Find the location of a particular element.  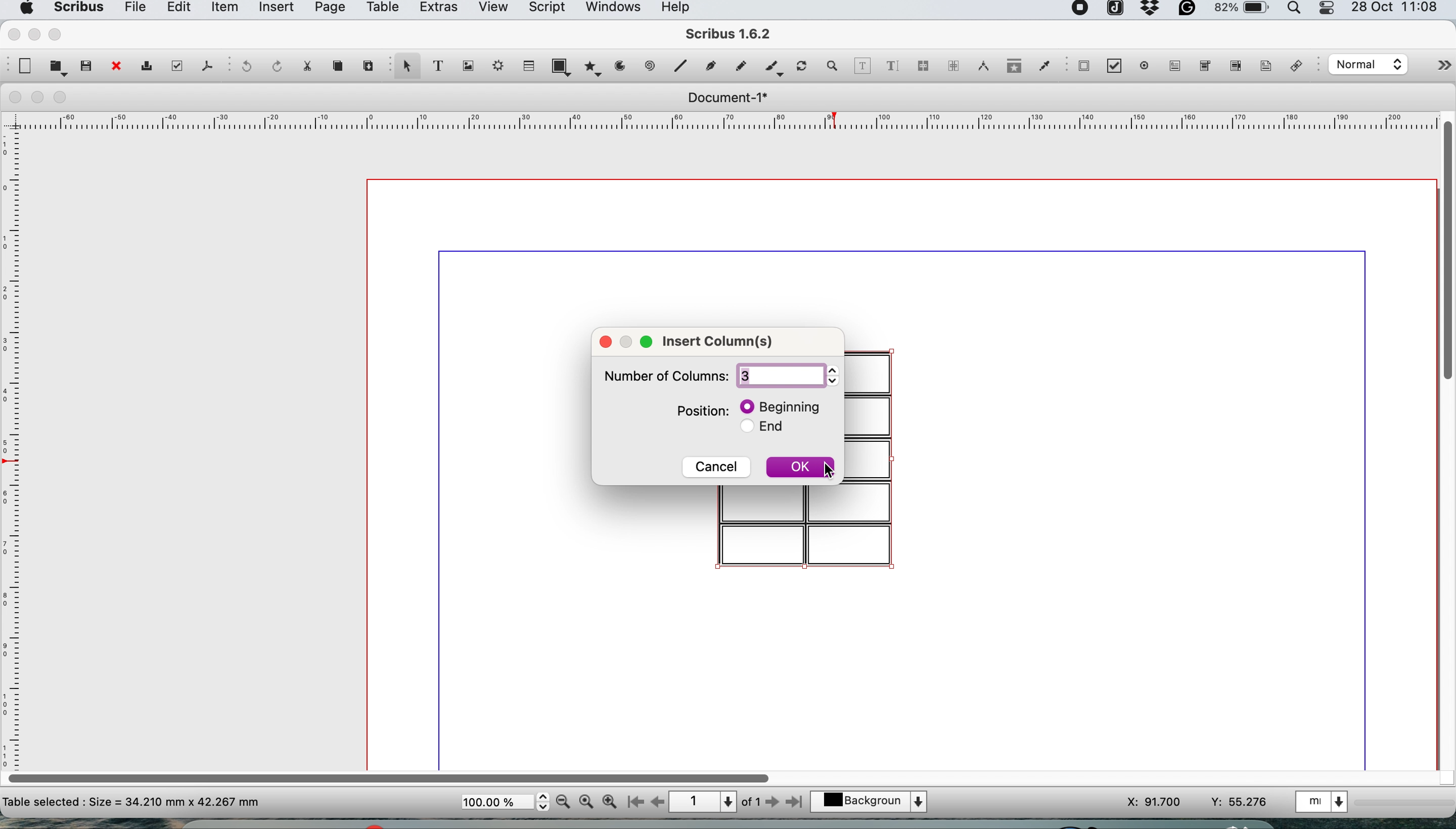

go to next page is located at coordinates (772, 803).